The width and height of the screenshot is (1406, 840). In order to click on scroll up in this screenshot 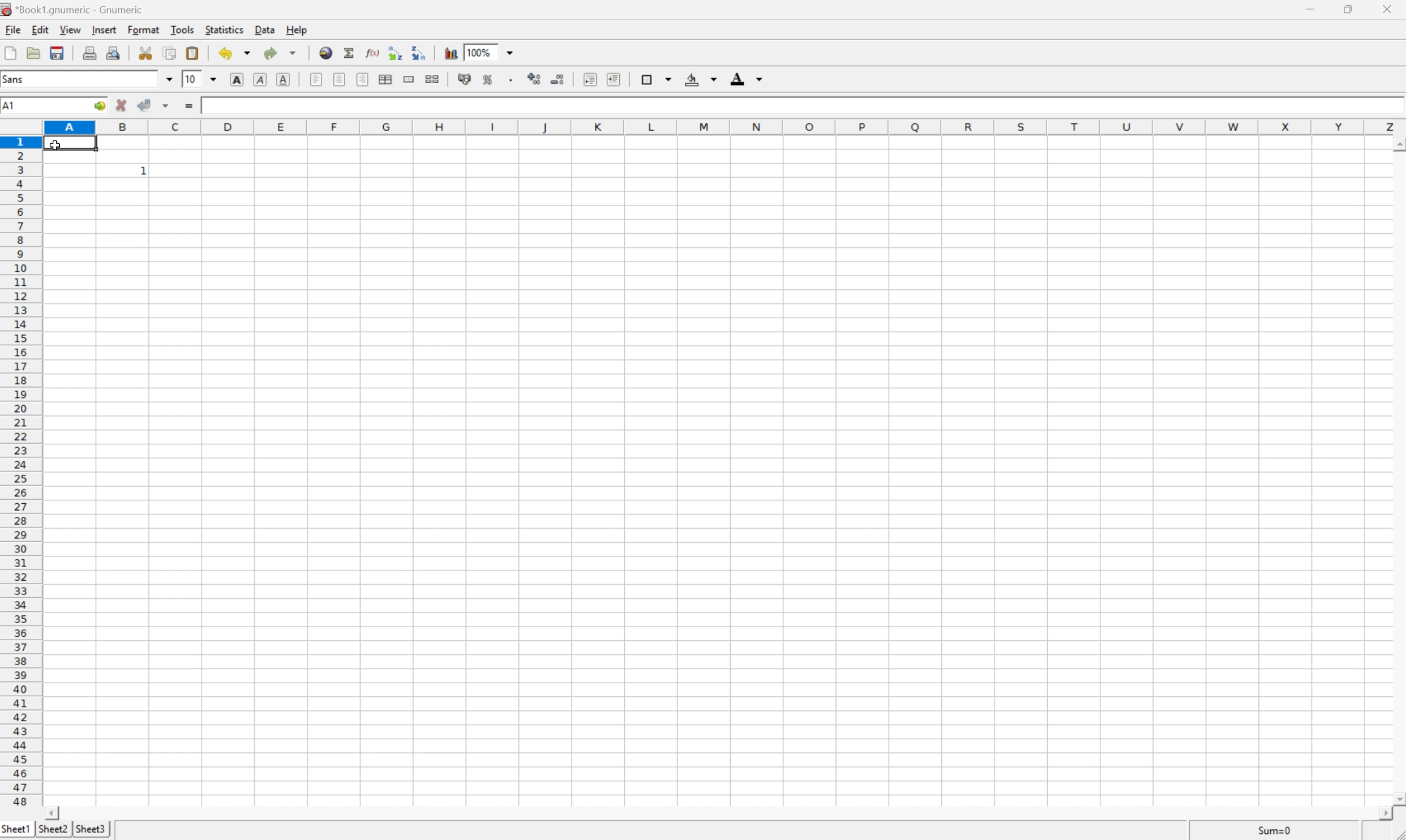, I will do `click(1397, 147)`.